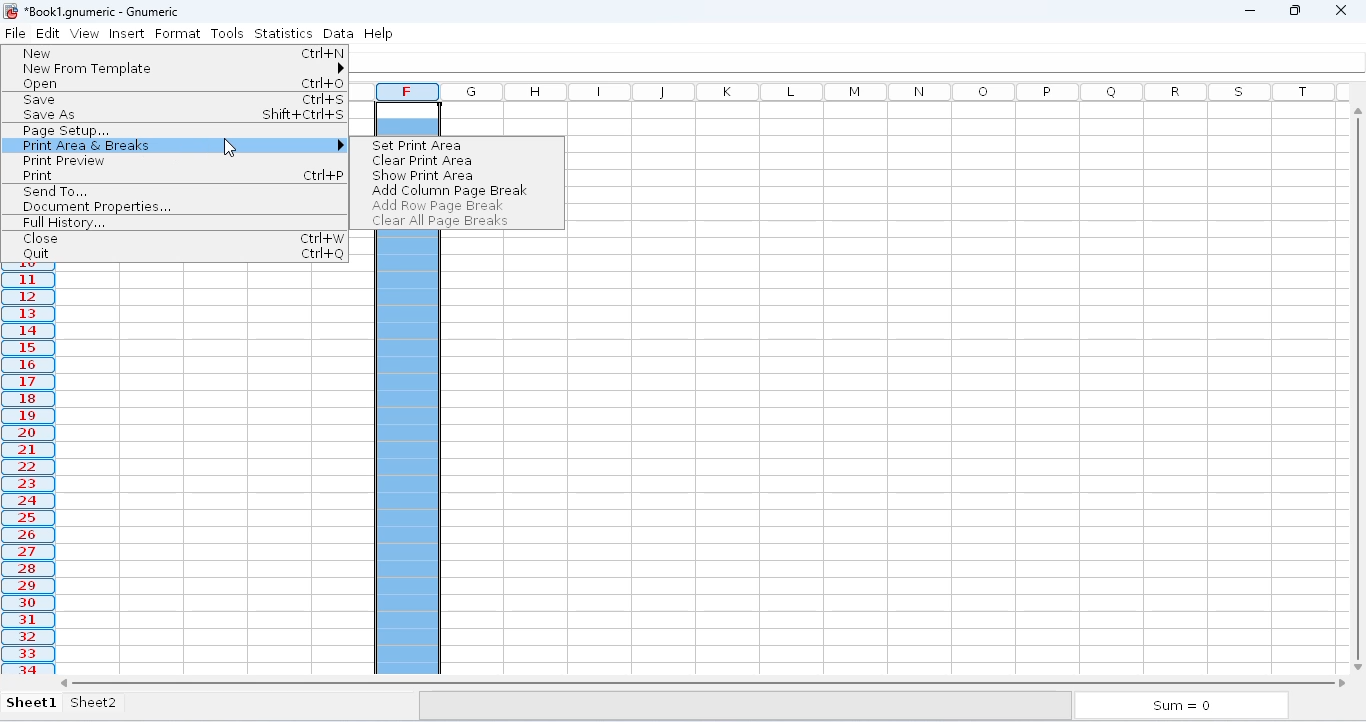 The height and width of the screenshot is (722, 1366). Describe the element at coordinates (323, 100) in the screenshot. I see `shortcut for save` at that location.